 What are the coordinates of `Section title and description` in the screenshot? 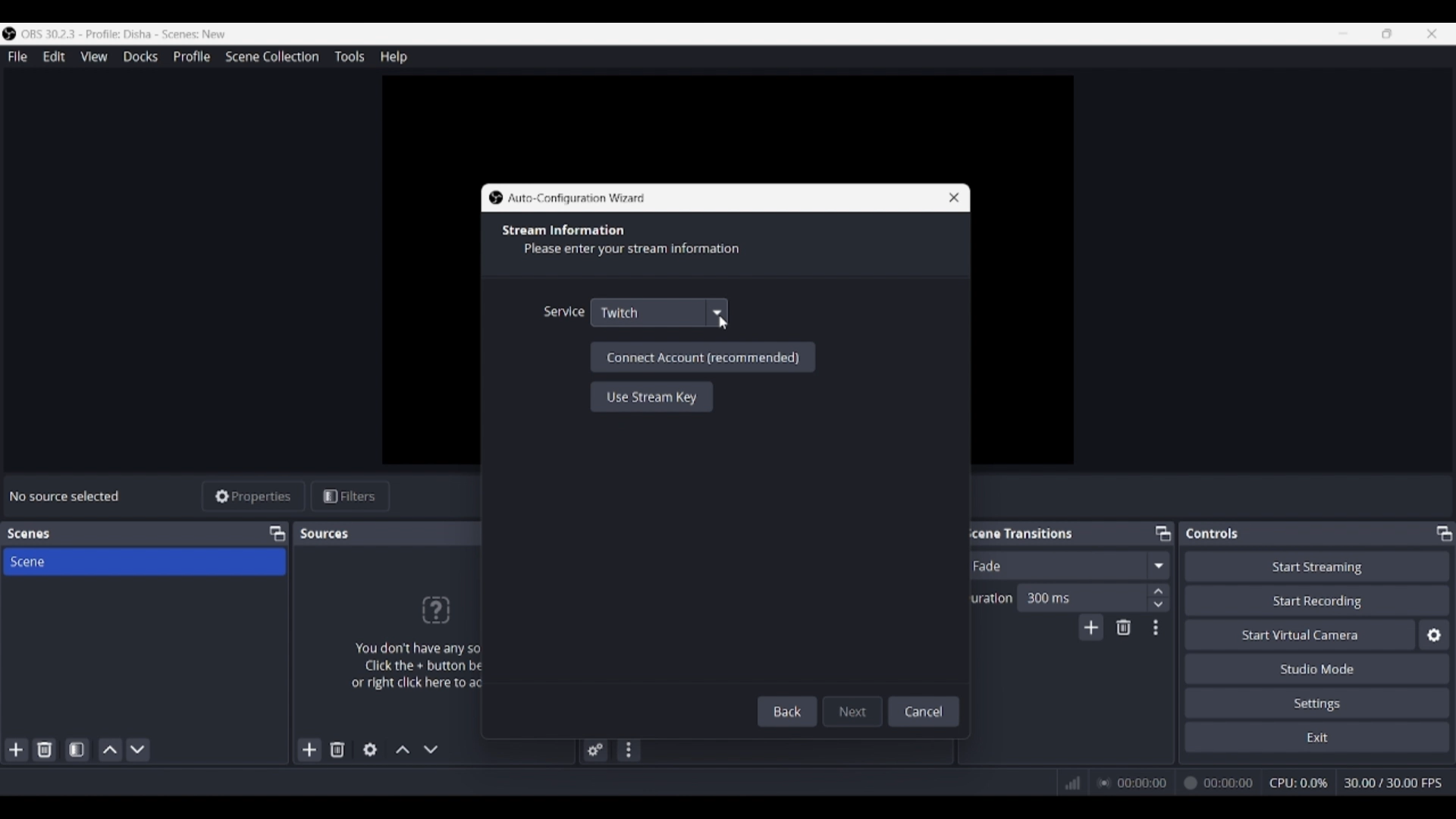 It's located at (628, 241).